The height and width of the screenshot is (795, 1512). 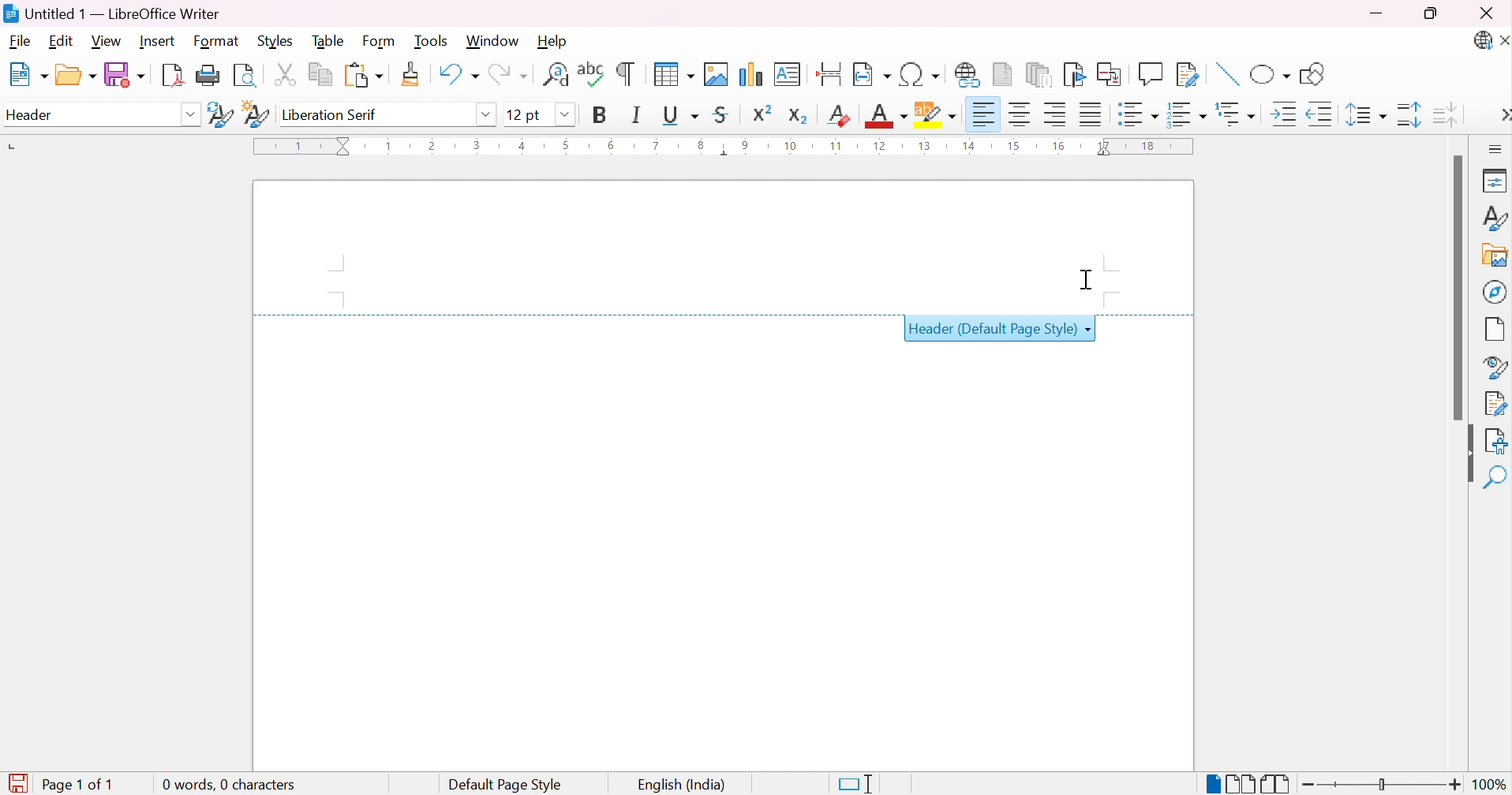 I want to click on Style inspector, so click(x=1497, y=368).